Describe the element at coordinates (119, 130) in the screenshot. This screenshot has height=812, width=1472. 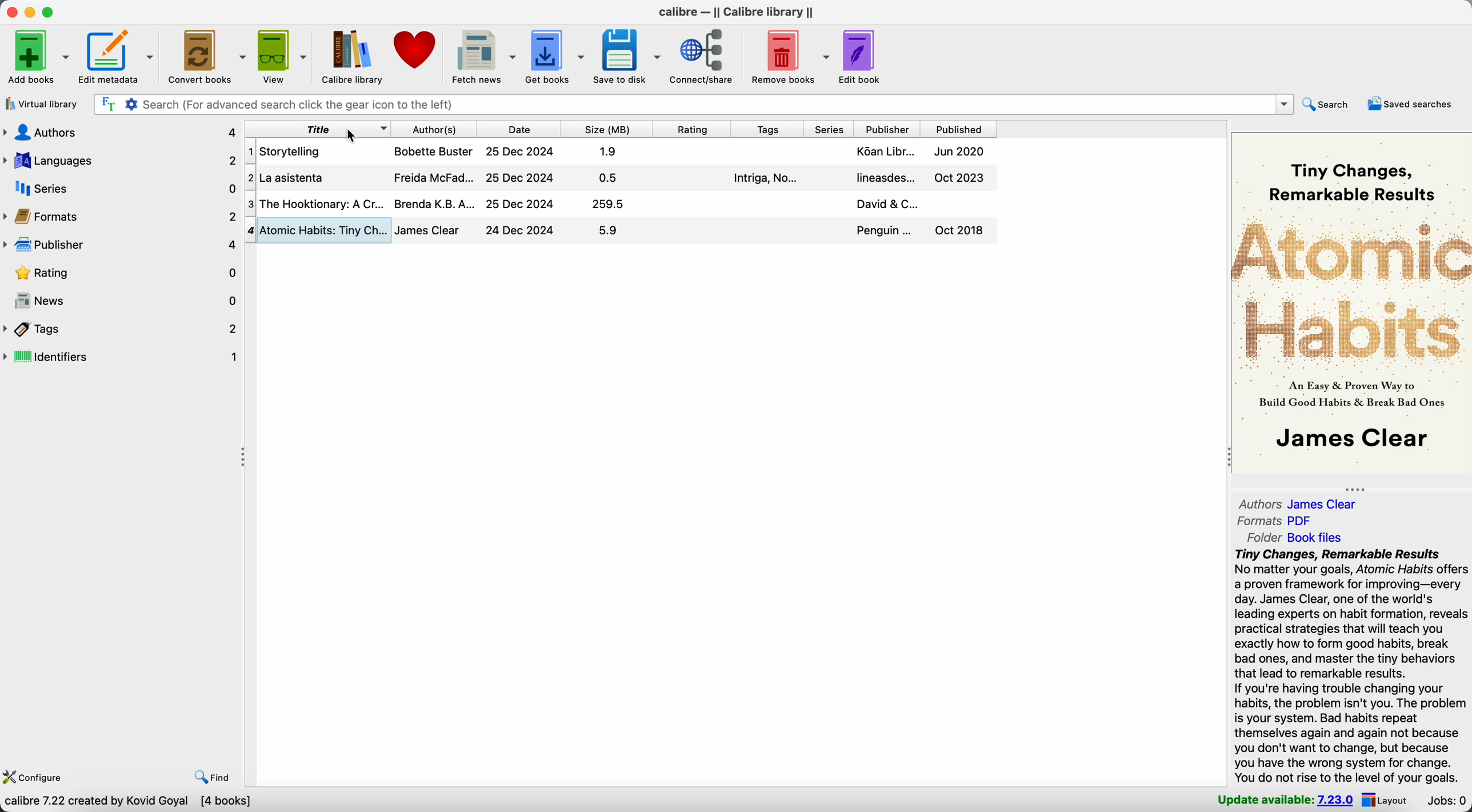
I see `authors` at that location.